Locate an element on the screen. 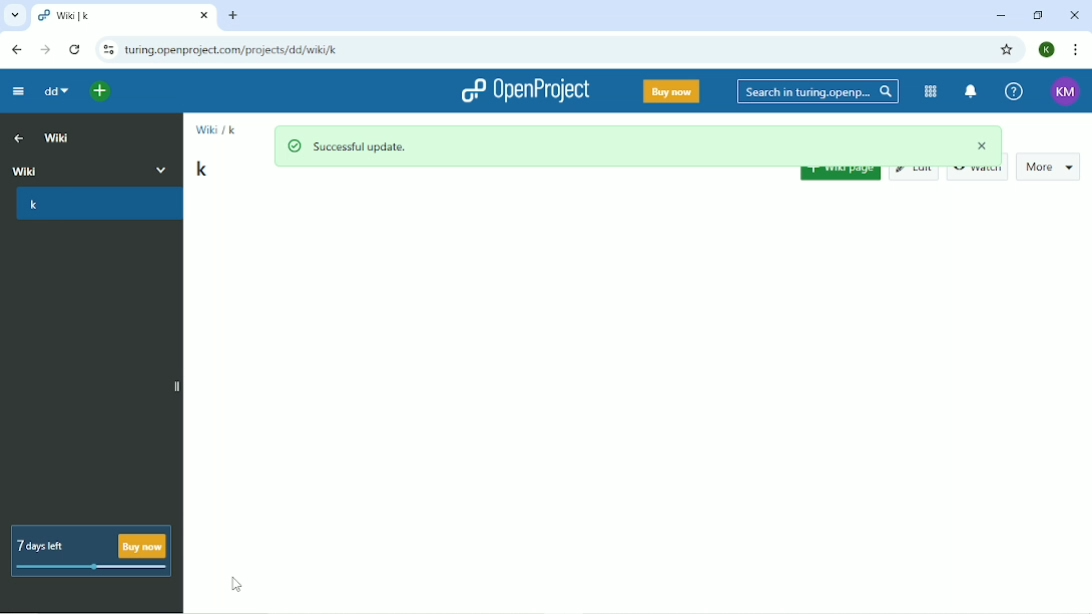 The height and width of the screenshot is (614, 1092). Edit is located at coordinates (913, 170).